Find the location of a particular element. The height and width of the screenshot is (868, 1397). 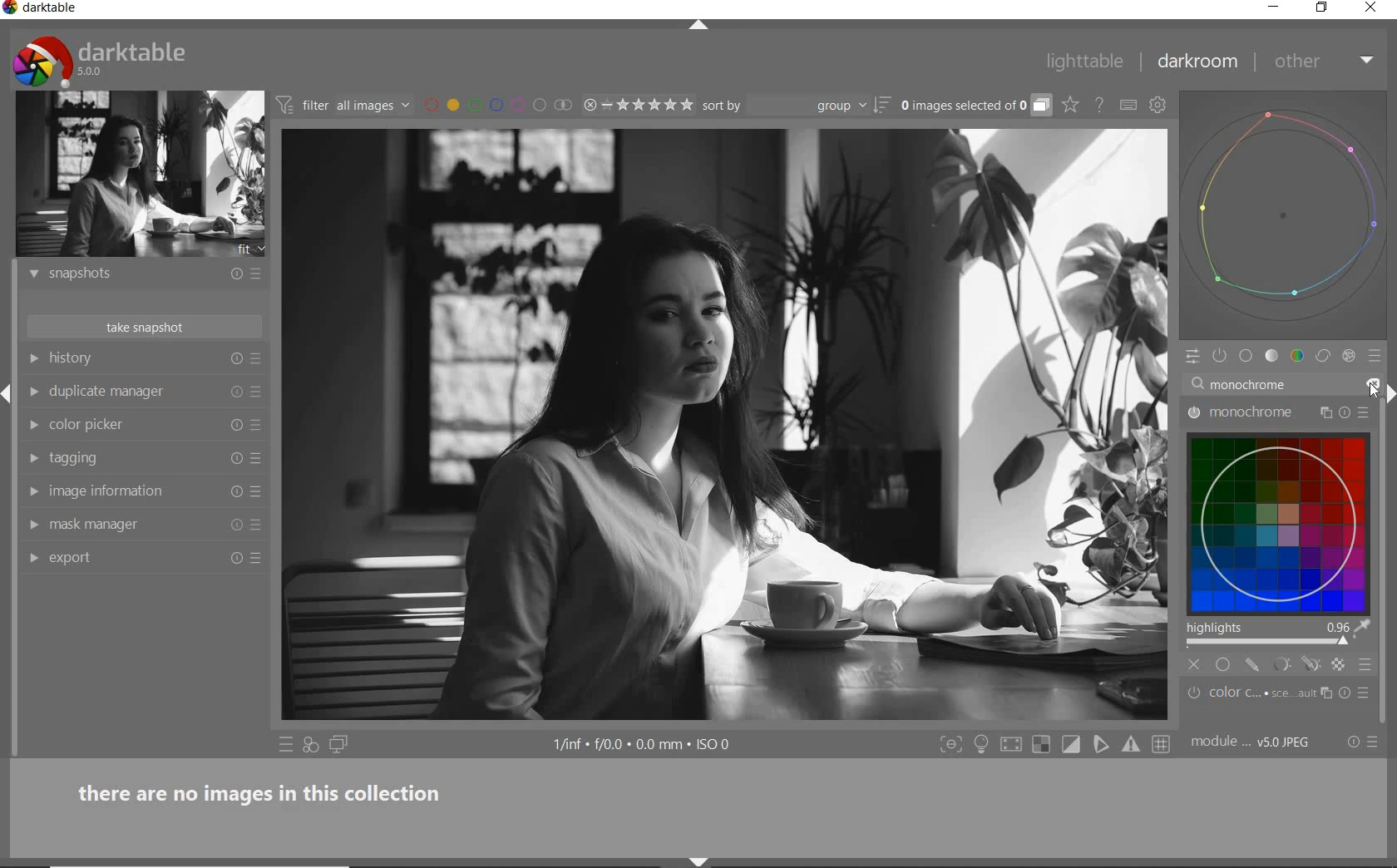

there are no images in this collection is located at coordinates (269, 791).